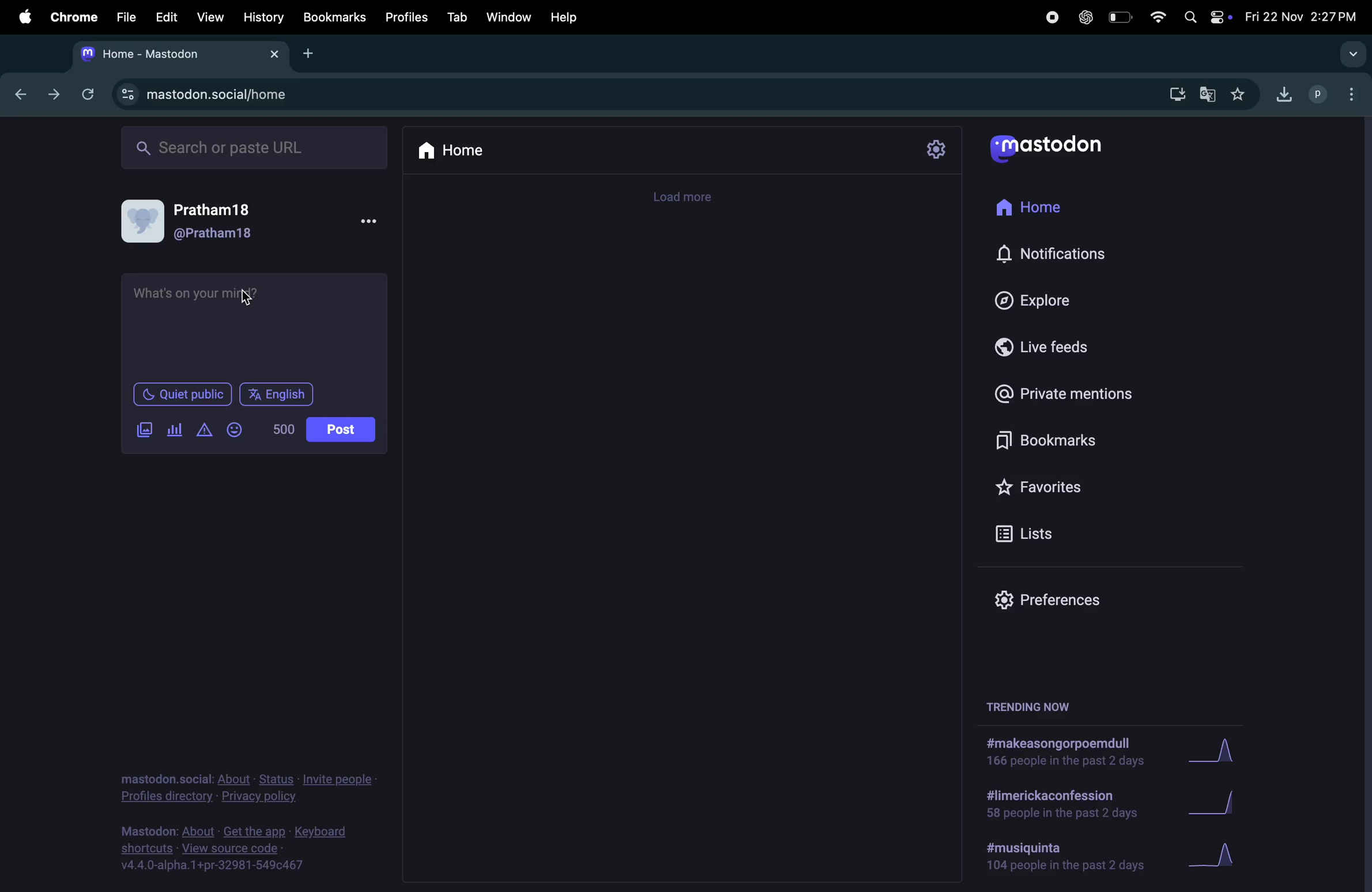  Describe the element at coordinates (277, 54) in the screenshot. I see `close` at that location.